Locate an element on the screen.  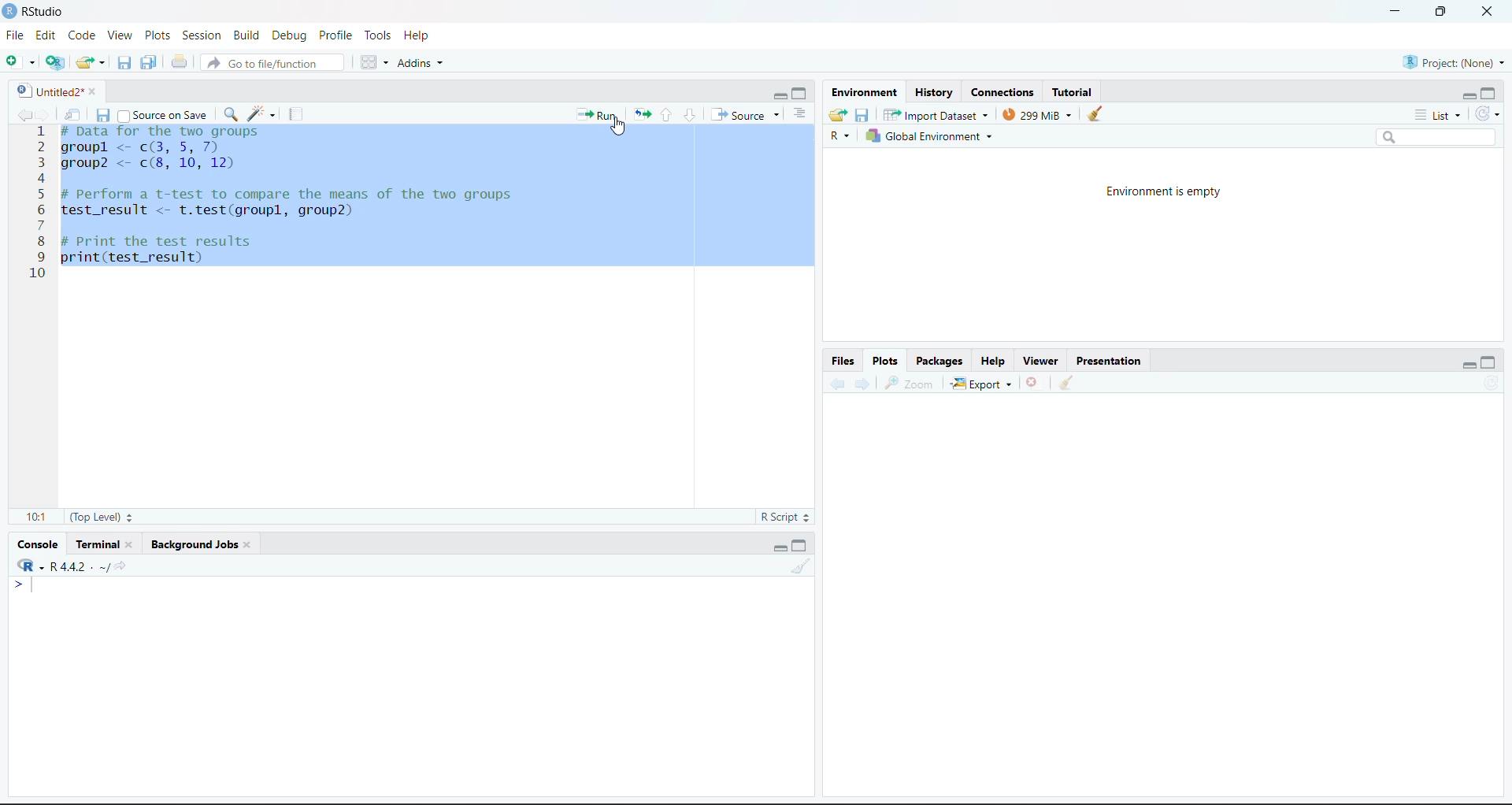
maximize is located at coordinates (1491, 362).